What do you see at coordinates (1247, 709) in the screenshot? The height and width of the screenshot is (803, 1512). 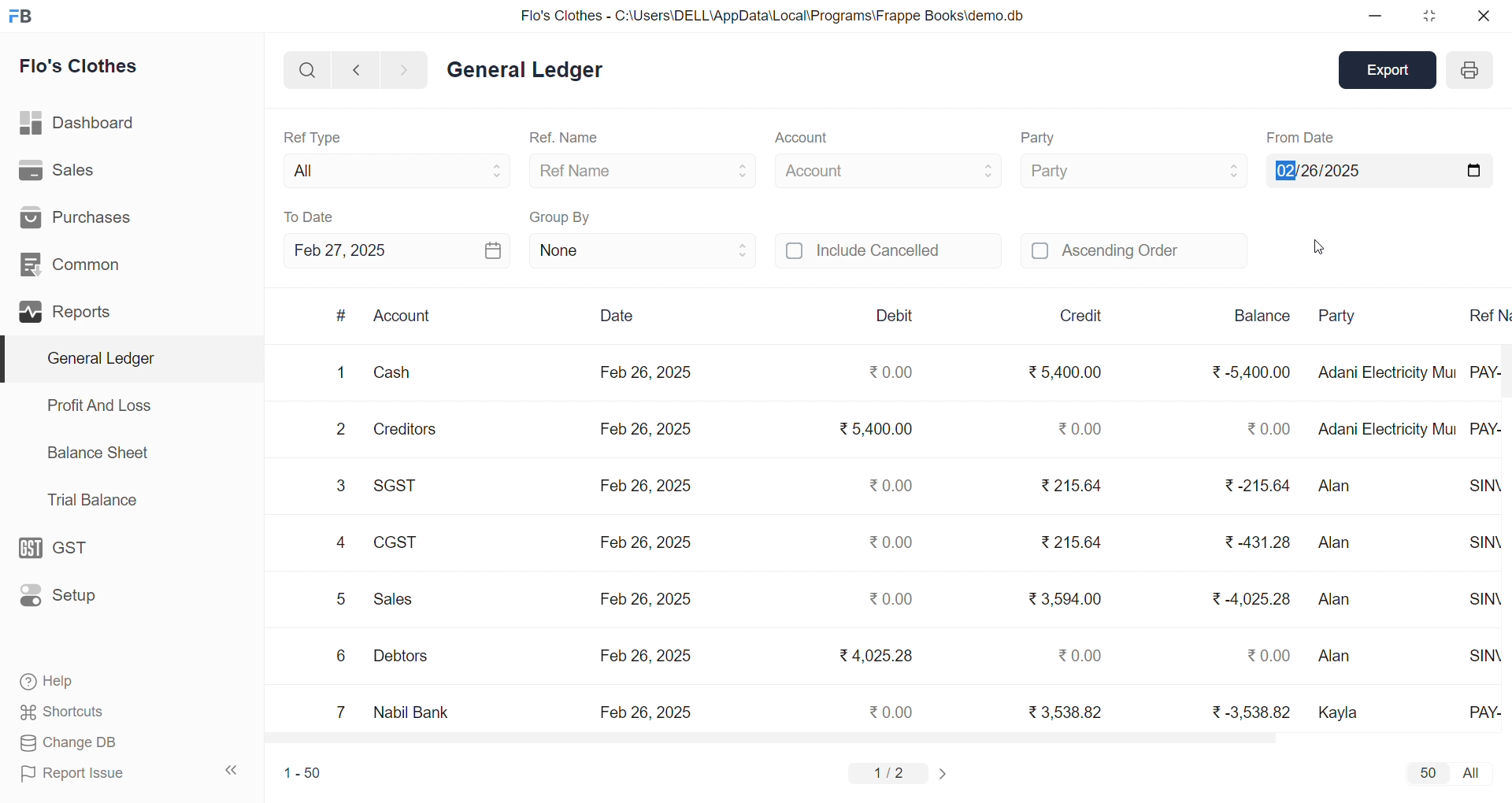 I see `₹ -3,538.82` at bounding box center [1247, 709].